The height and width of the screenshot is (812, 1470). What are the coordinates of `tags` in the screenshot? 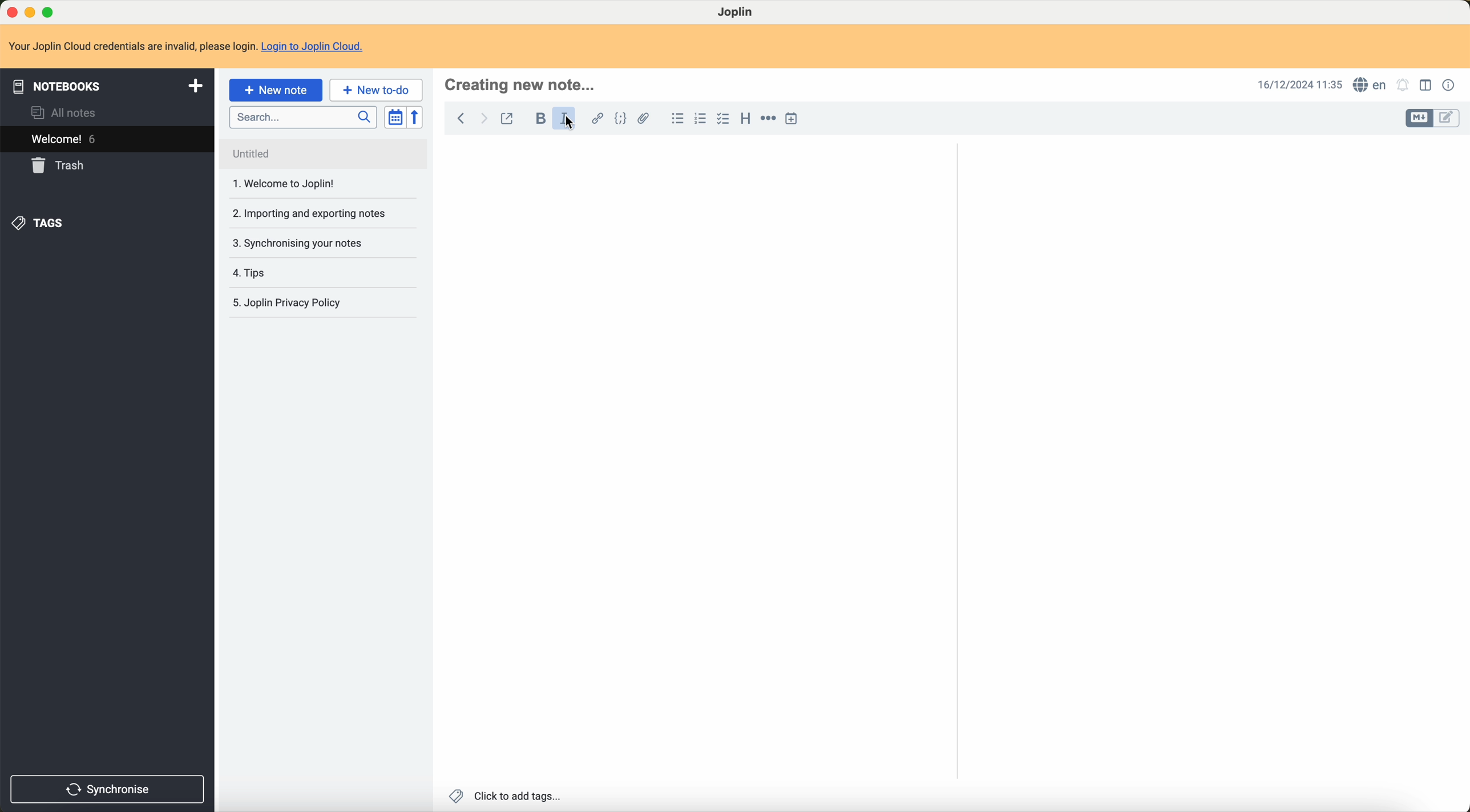 It's located at (42, 223).